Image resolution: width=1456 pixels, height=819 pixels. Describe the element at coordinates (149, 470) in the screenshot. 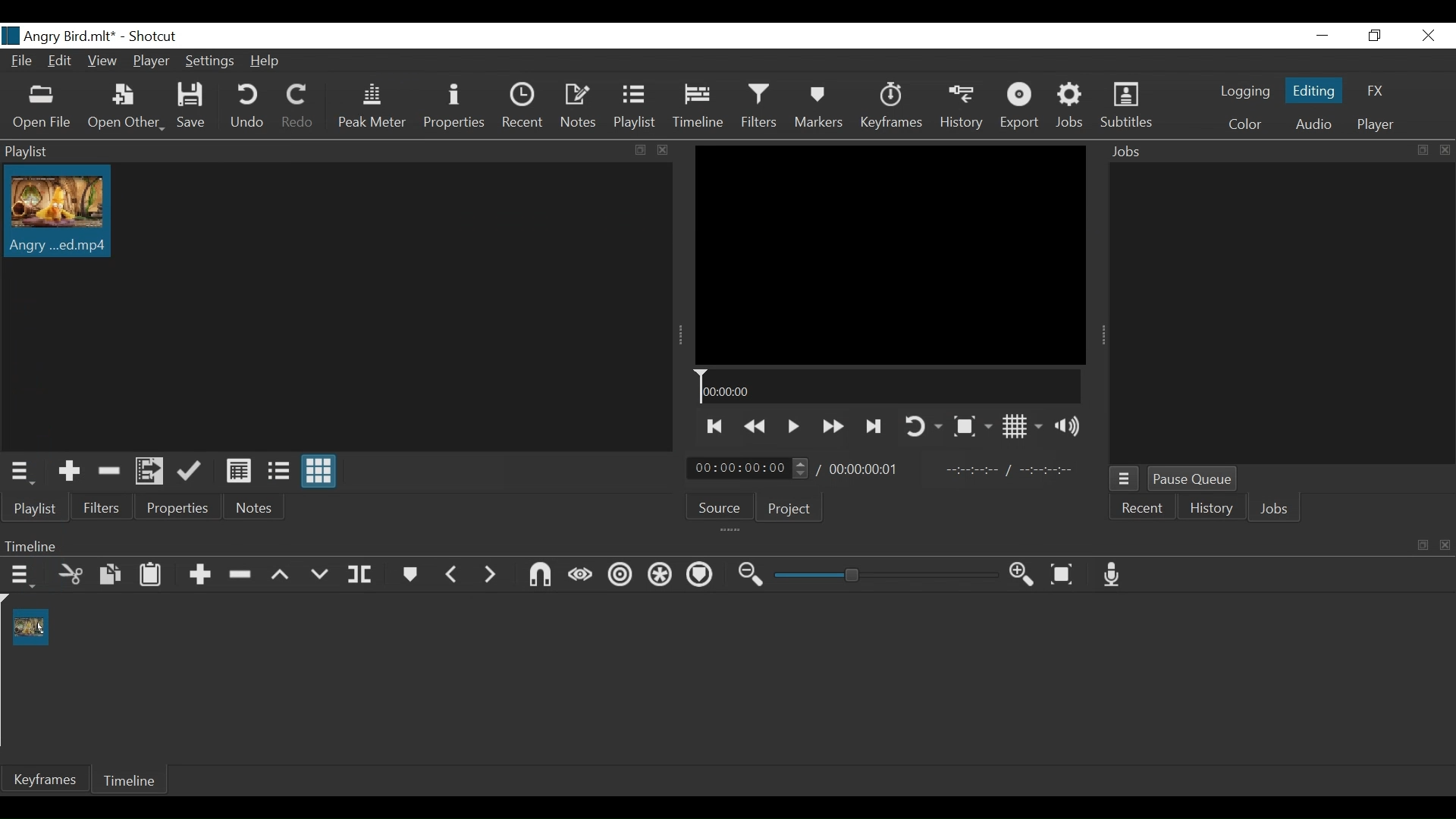

I see `Add the files to the playlist` at that location.